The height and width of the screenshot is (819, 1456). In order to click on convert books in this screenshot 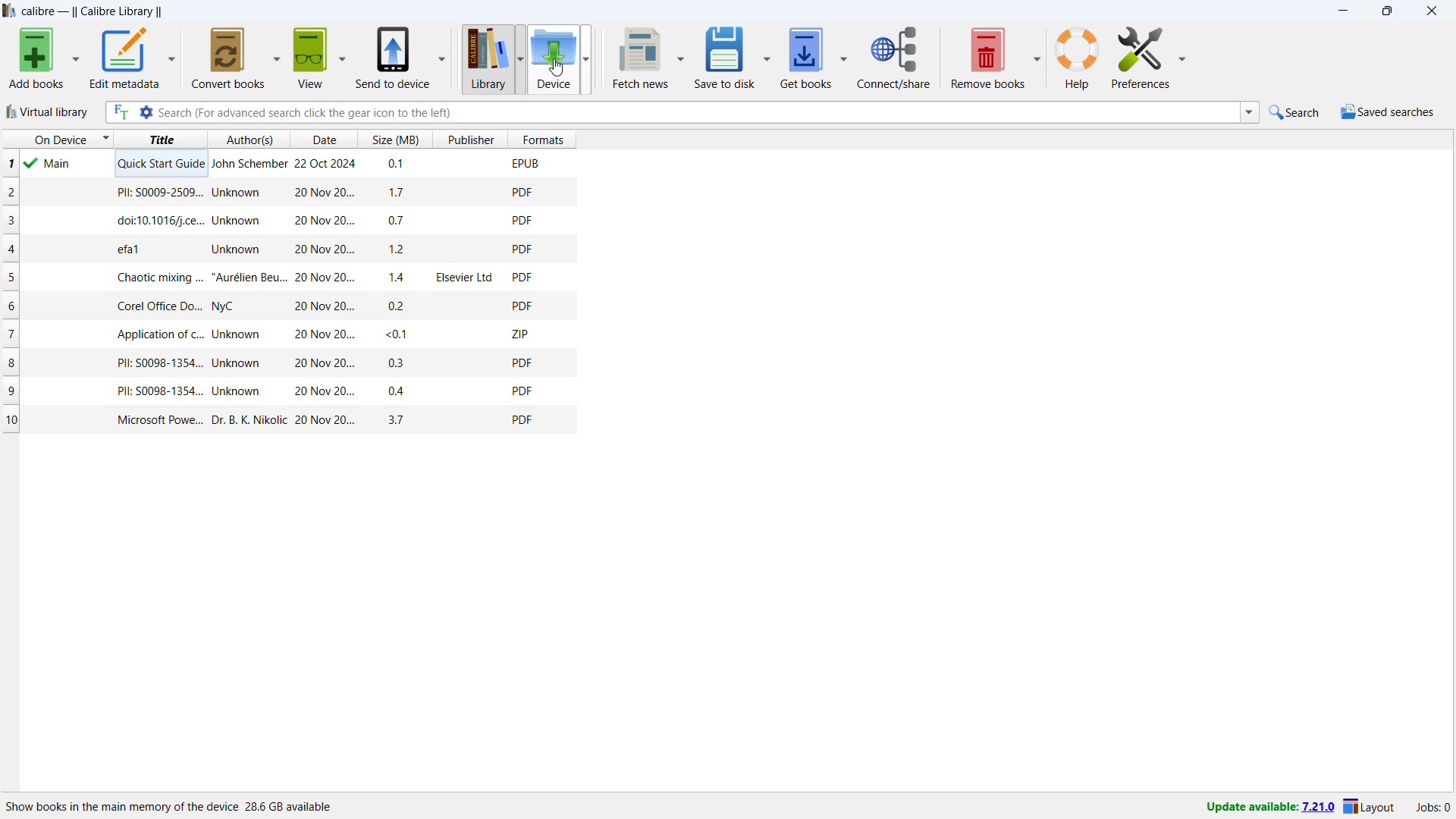, I will do `click(225, 58)`.